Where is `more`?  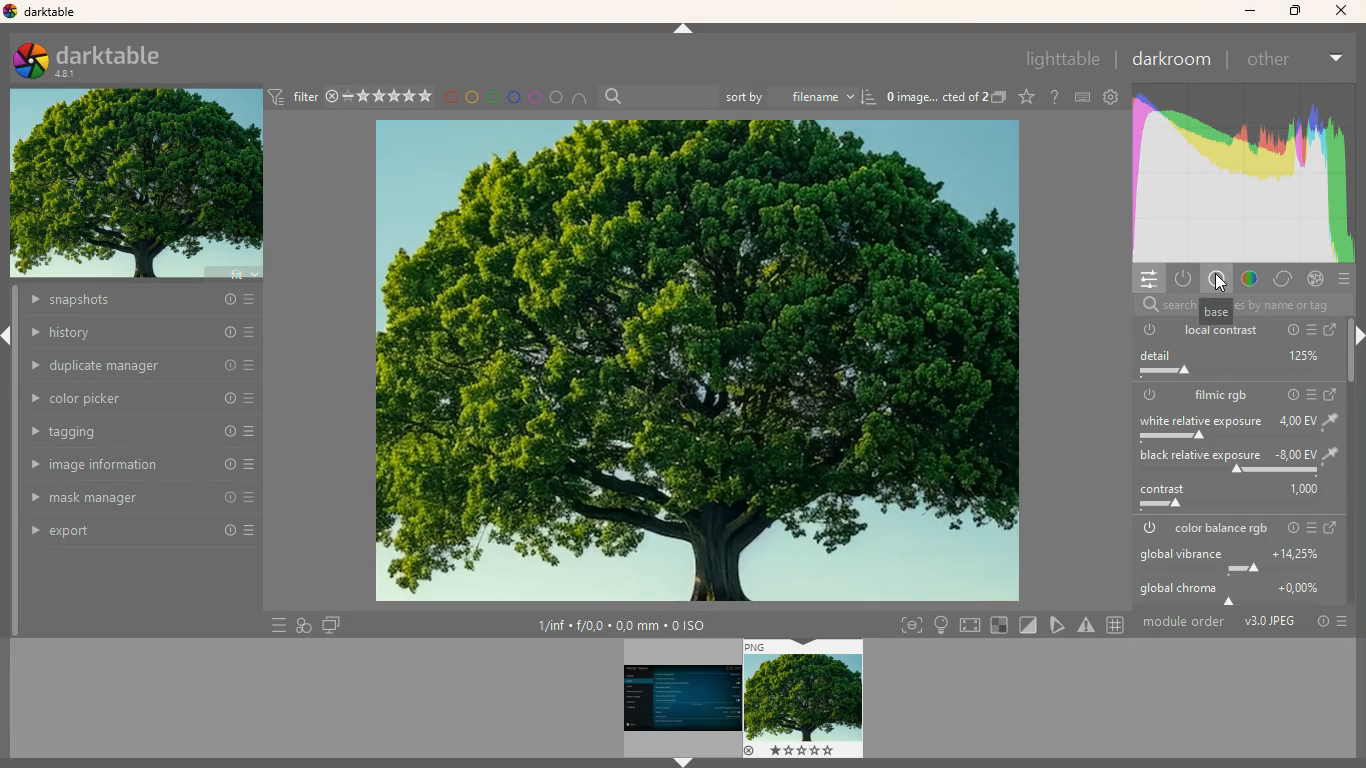
more is located at coordinates (1311, 328).